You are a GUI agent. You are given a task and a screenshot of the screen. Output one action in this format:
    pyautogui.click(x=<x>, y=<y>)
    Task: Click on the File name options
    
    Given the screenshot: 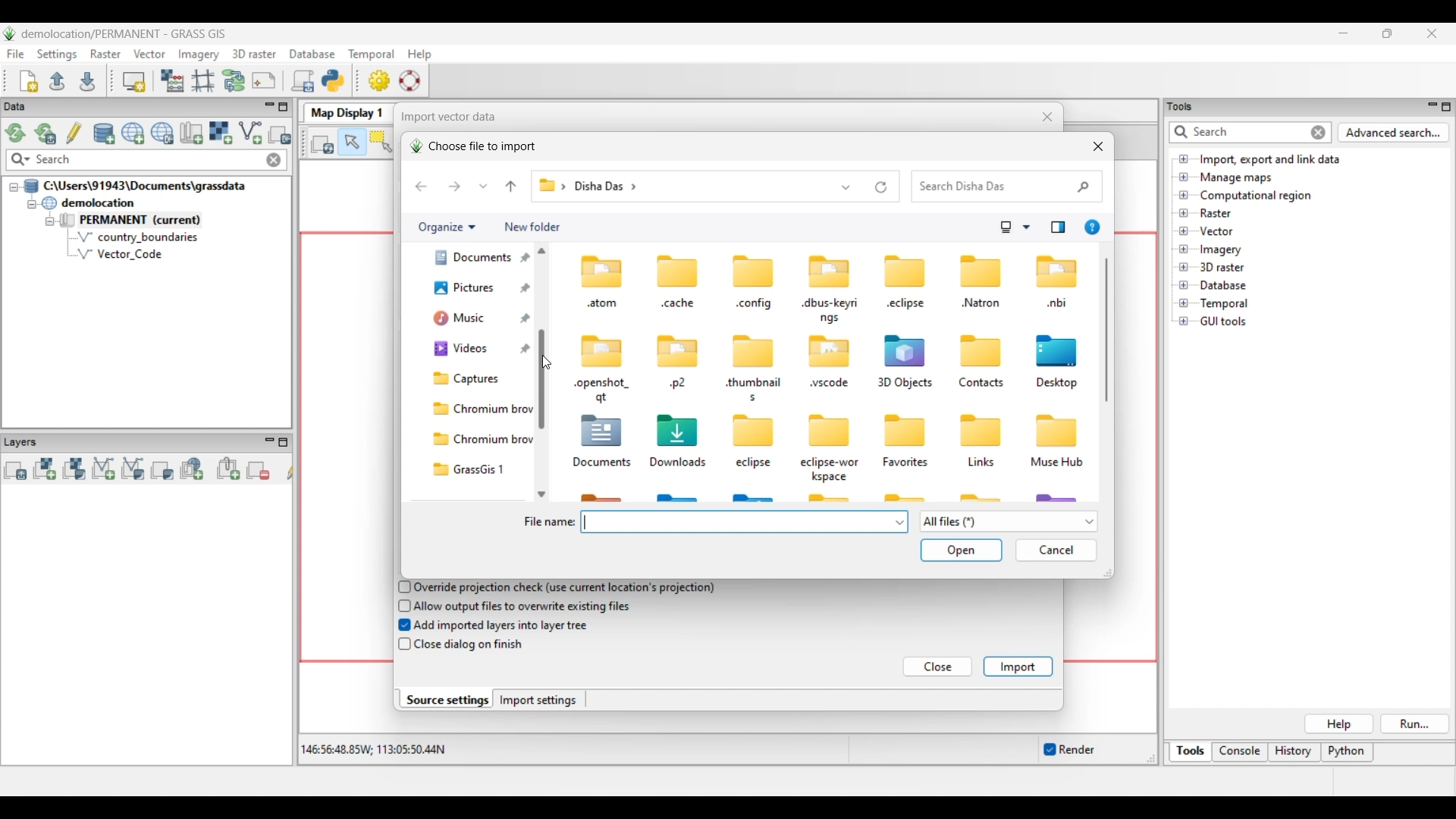 What is the action you would take?
    pyautogui.click(x=900, y=522)
    